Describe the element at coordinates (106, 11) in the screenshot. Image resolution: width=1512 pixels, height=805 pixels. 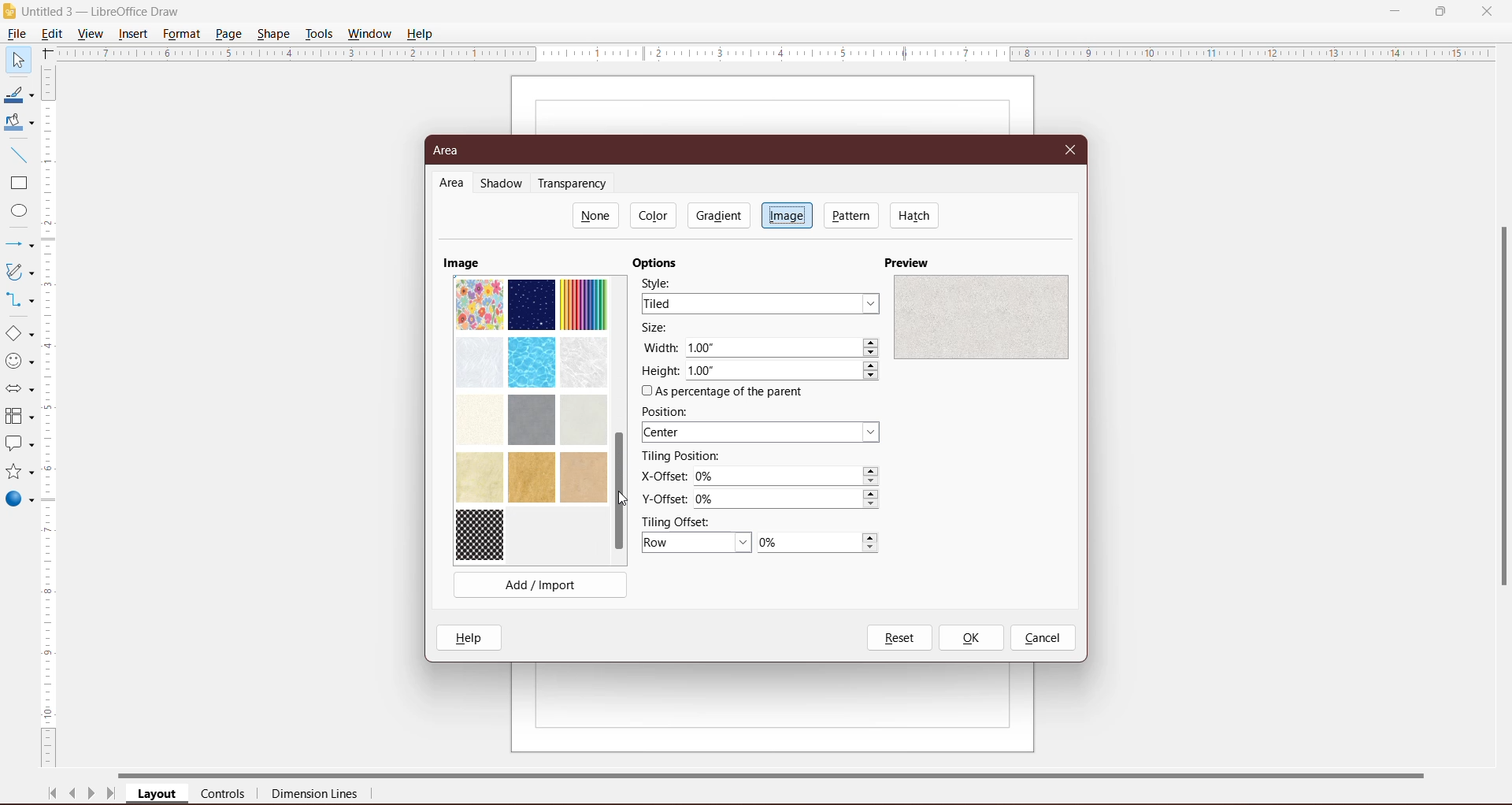
I see `Diagram Title - Application Name` at that location.